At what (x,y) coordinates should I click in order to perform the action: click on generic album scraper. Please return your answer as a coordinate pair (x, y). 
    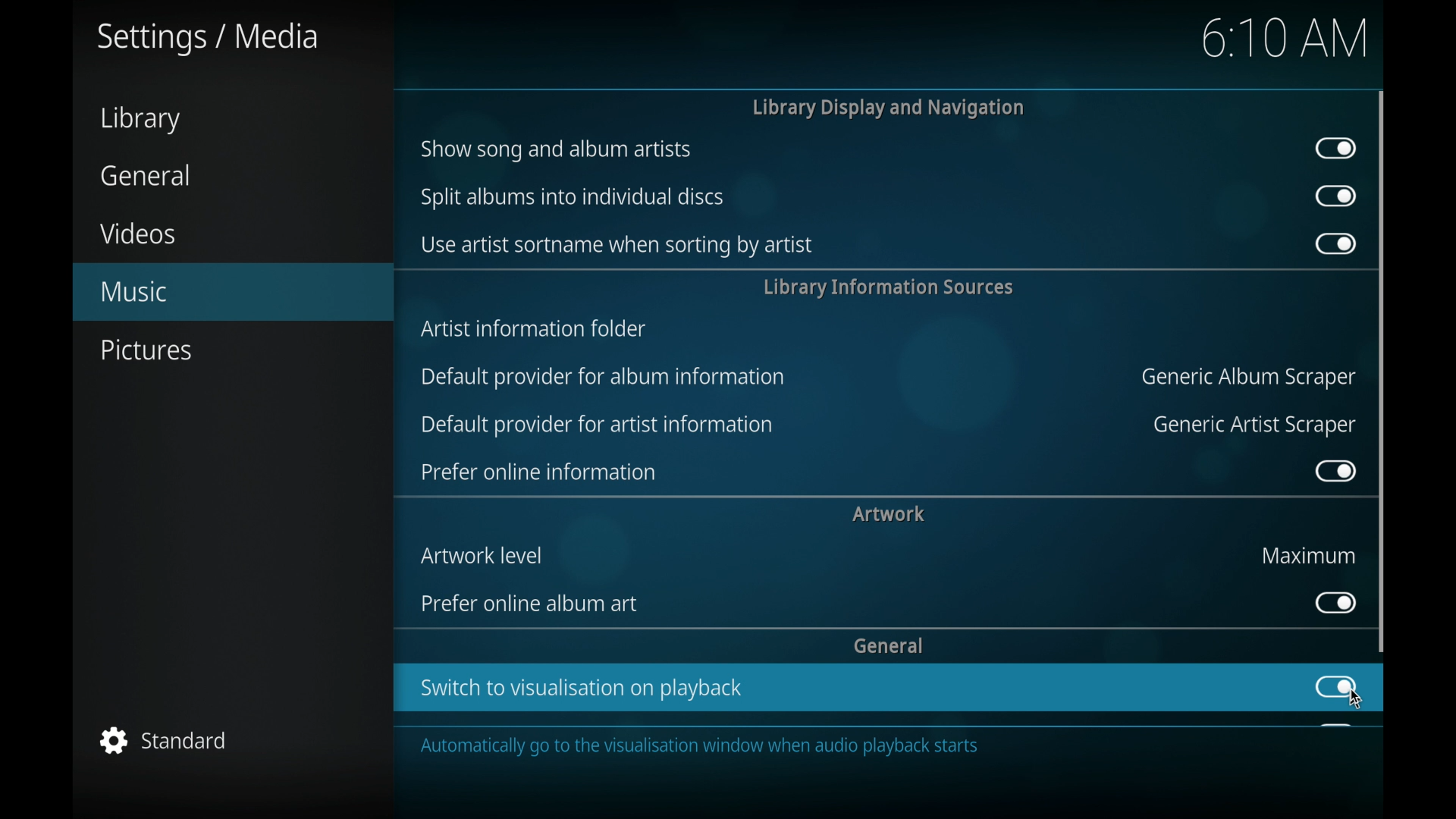
    Looking at the image, I should click on (1246, 378).